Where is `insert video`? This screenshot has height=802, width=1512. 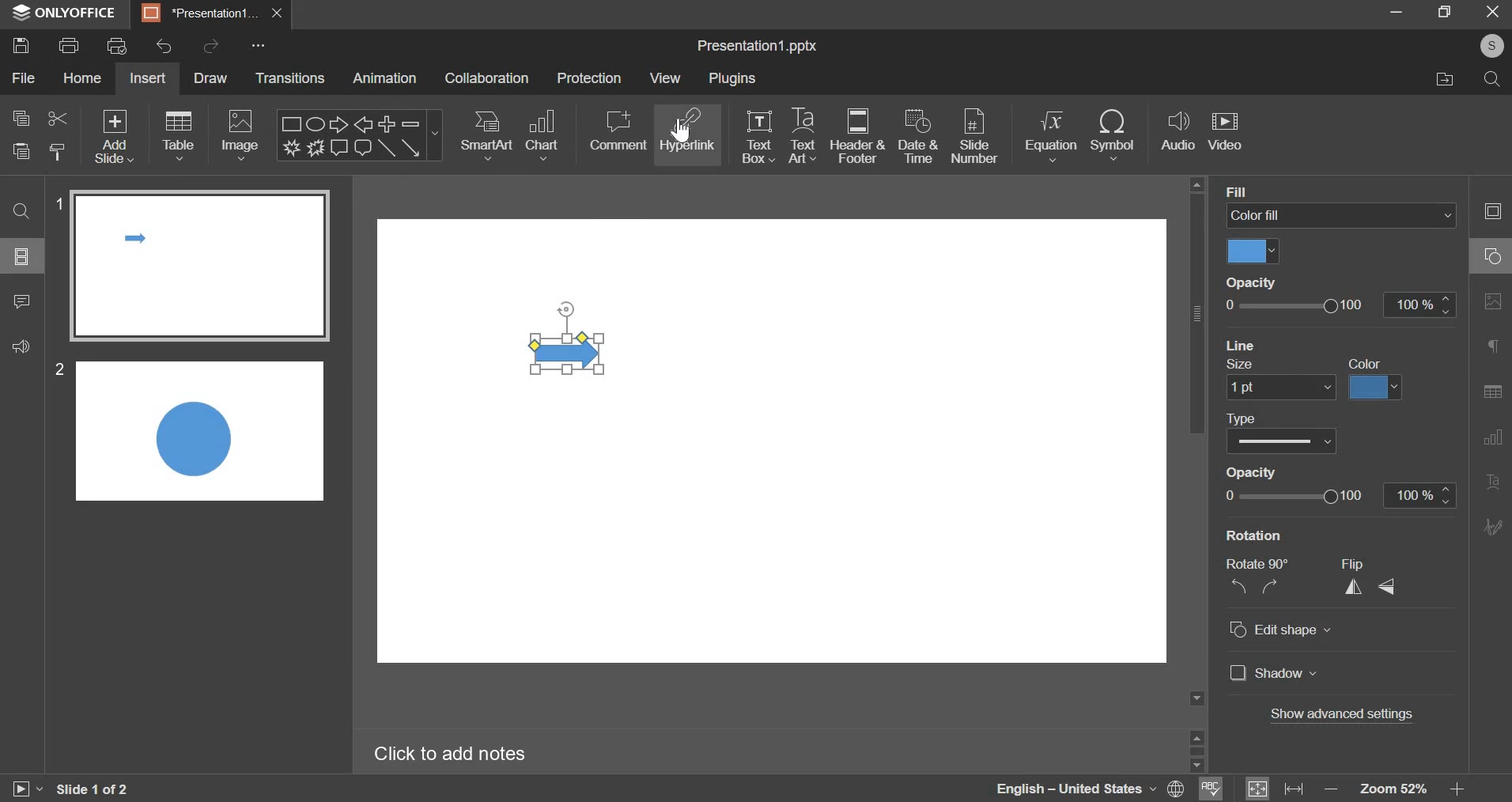
insert video is located at coordinates (1227, 136).